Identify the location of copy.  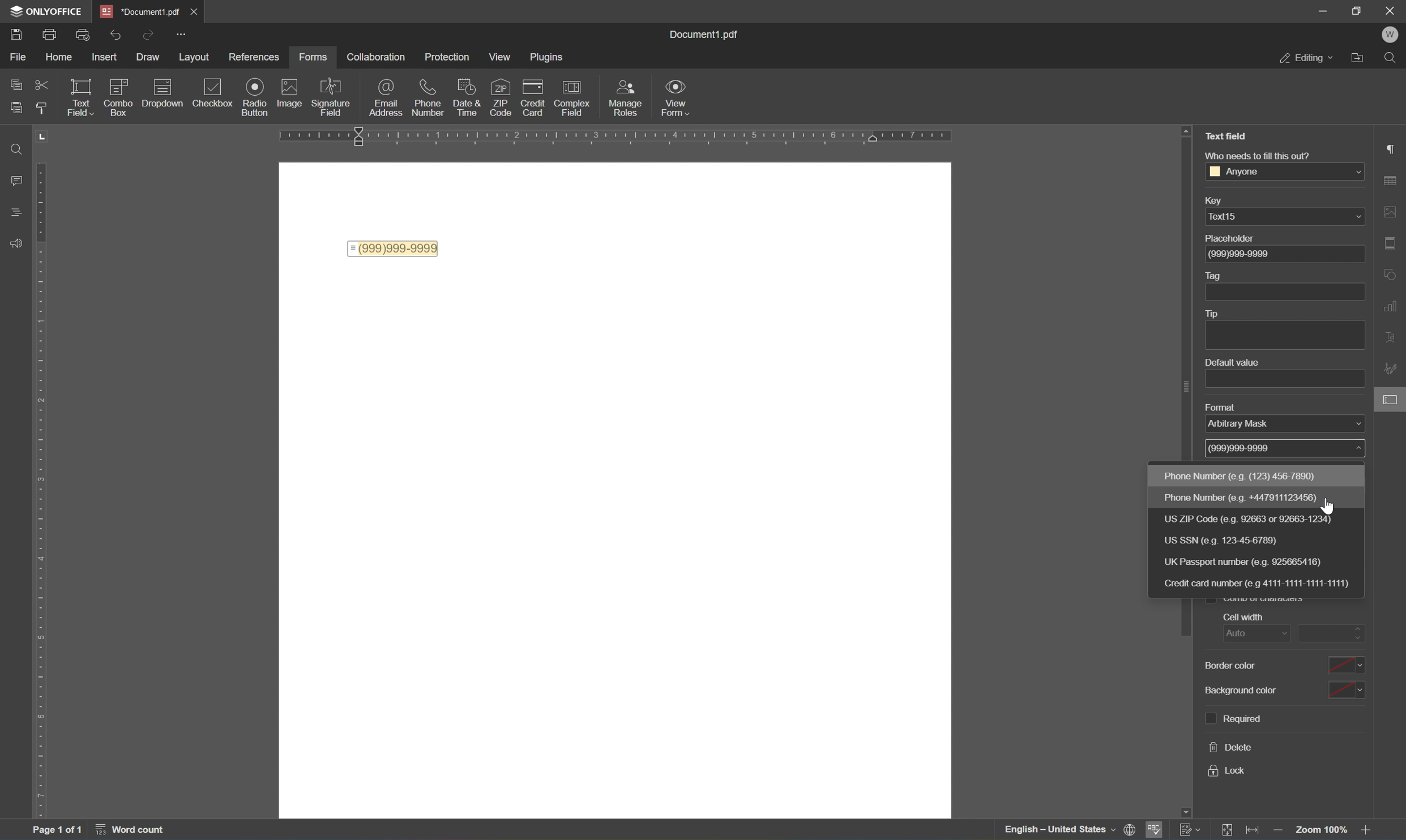
(11, 84).